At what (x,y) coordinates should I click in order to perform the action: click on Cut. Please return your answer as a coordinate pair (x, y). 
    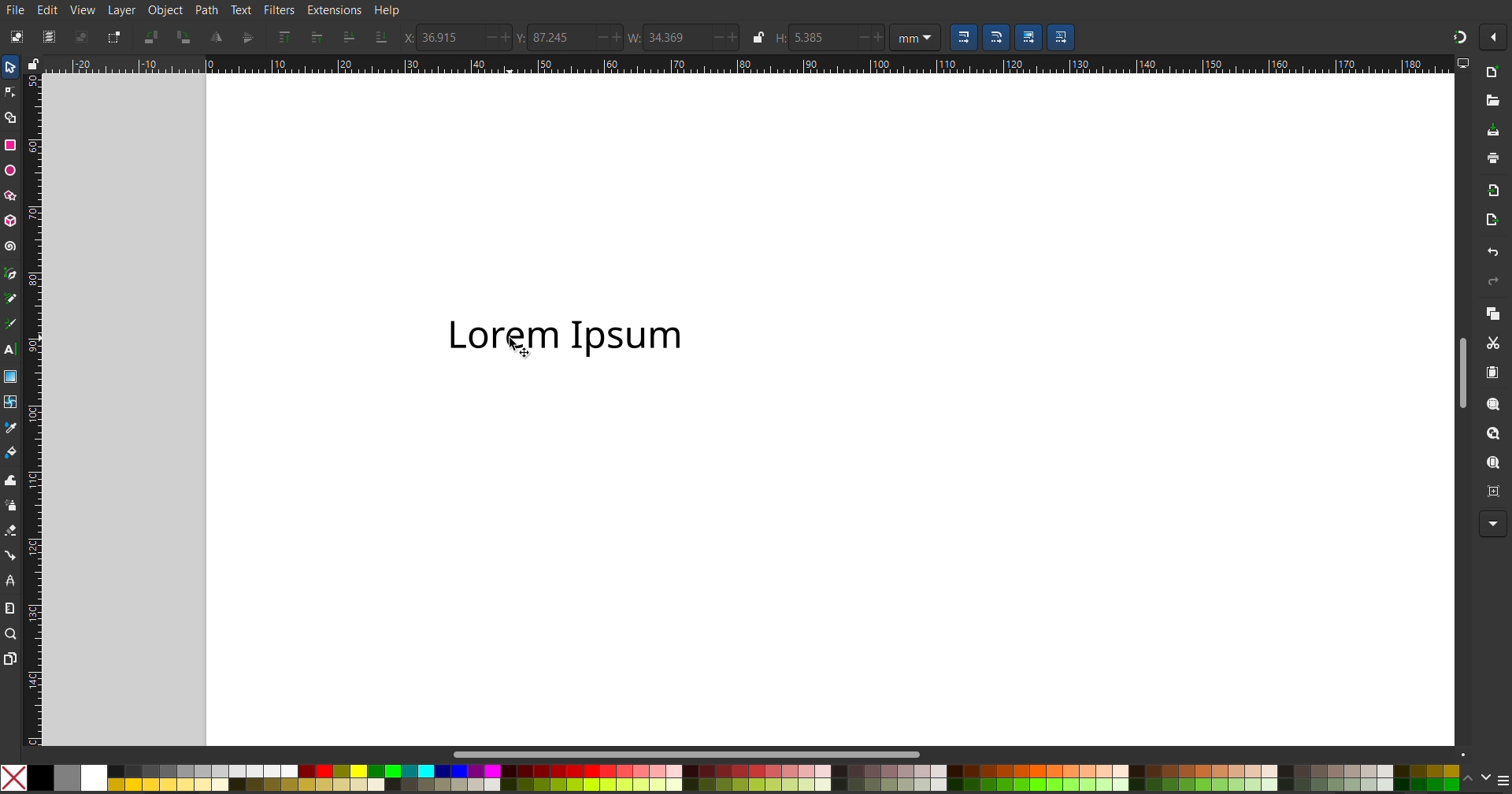
    Looking at the image, I should click on (1494, 343).